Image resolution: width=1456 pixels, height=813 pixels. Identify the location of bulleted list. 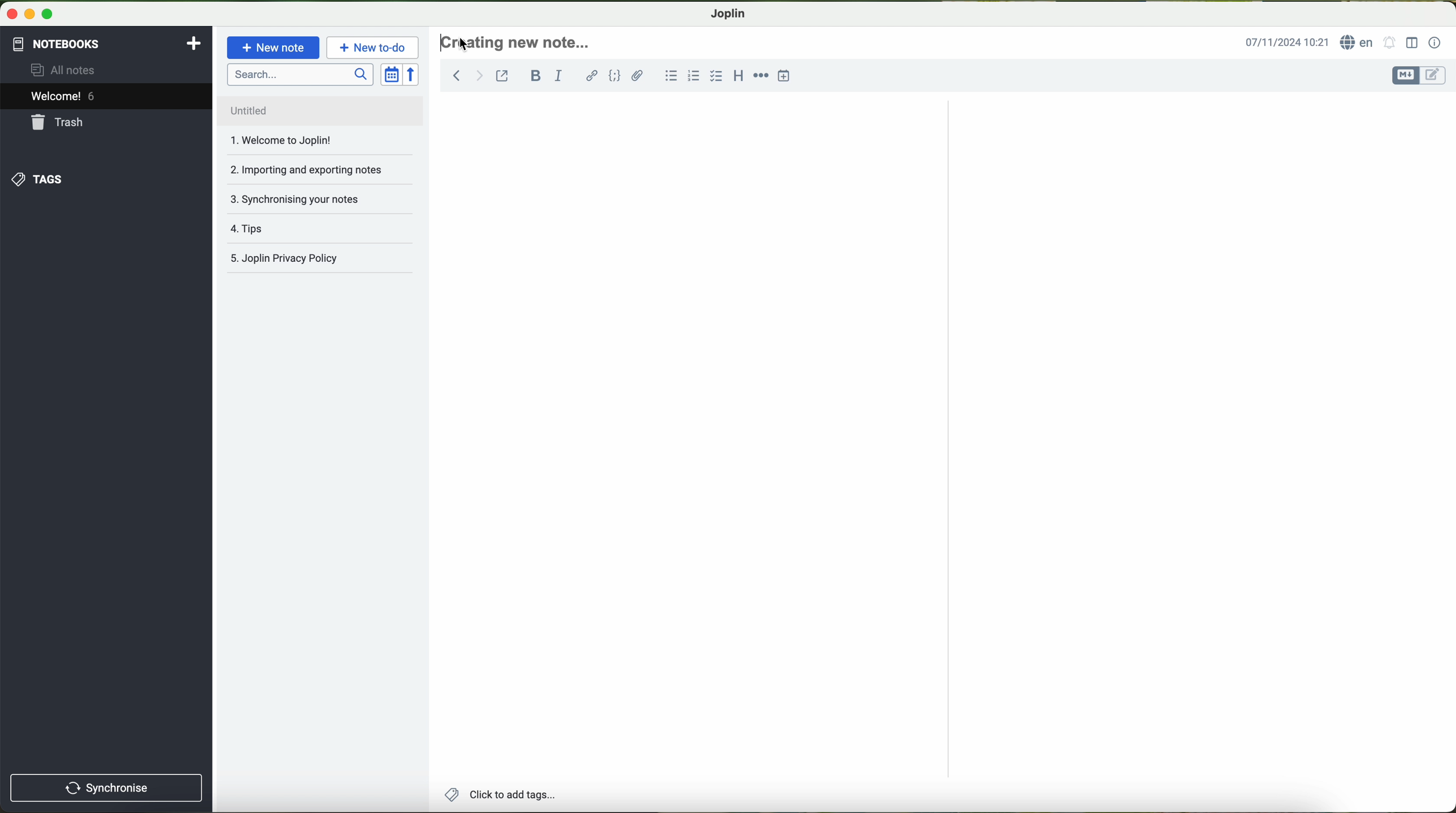
(671, 75).